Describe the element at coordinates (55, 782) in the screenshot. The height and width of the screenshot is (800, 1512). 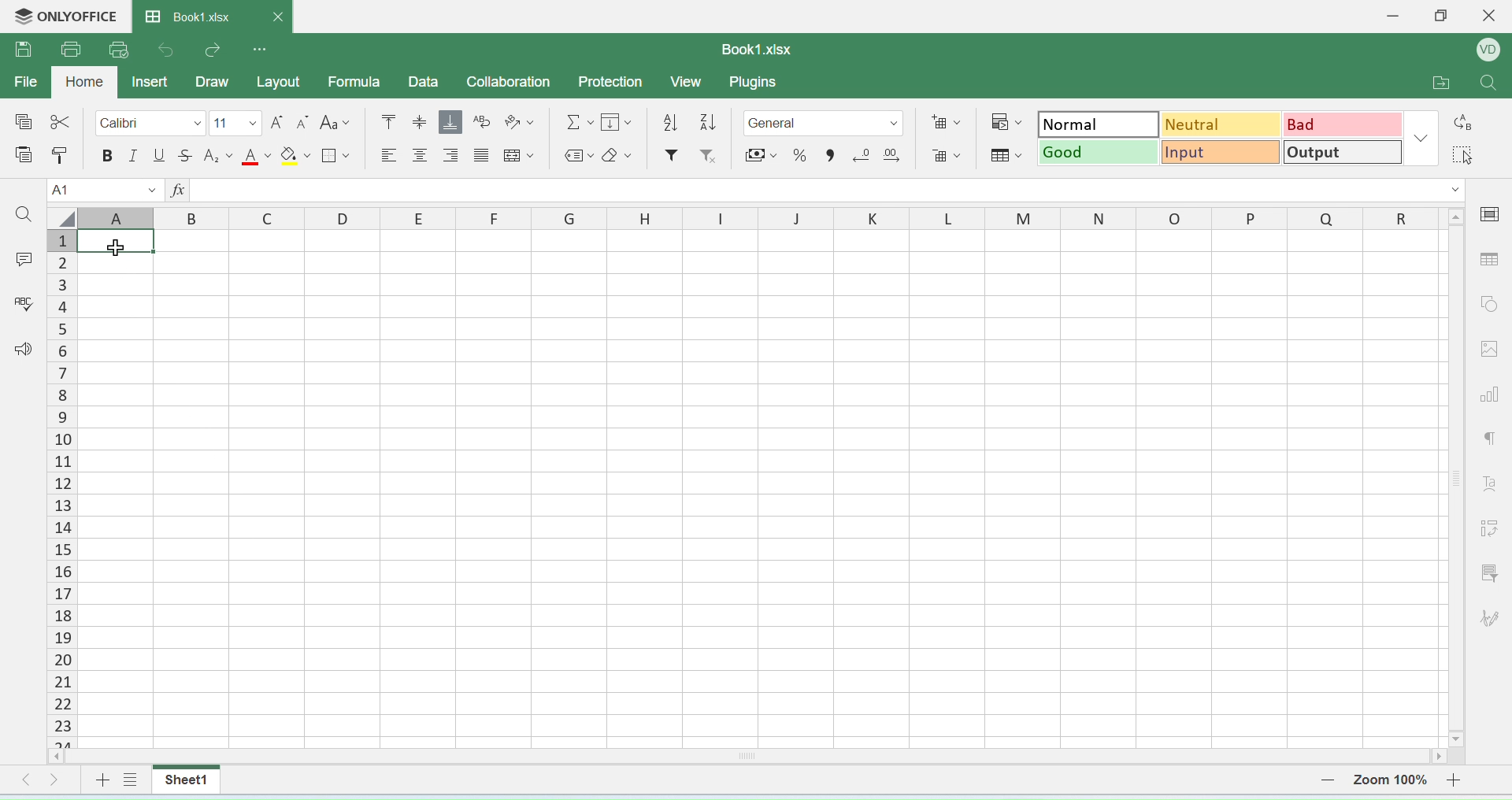
I see `move right` at that location.